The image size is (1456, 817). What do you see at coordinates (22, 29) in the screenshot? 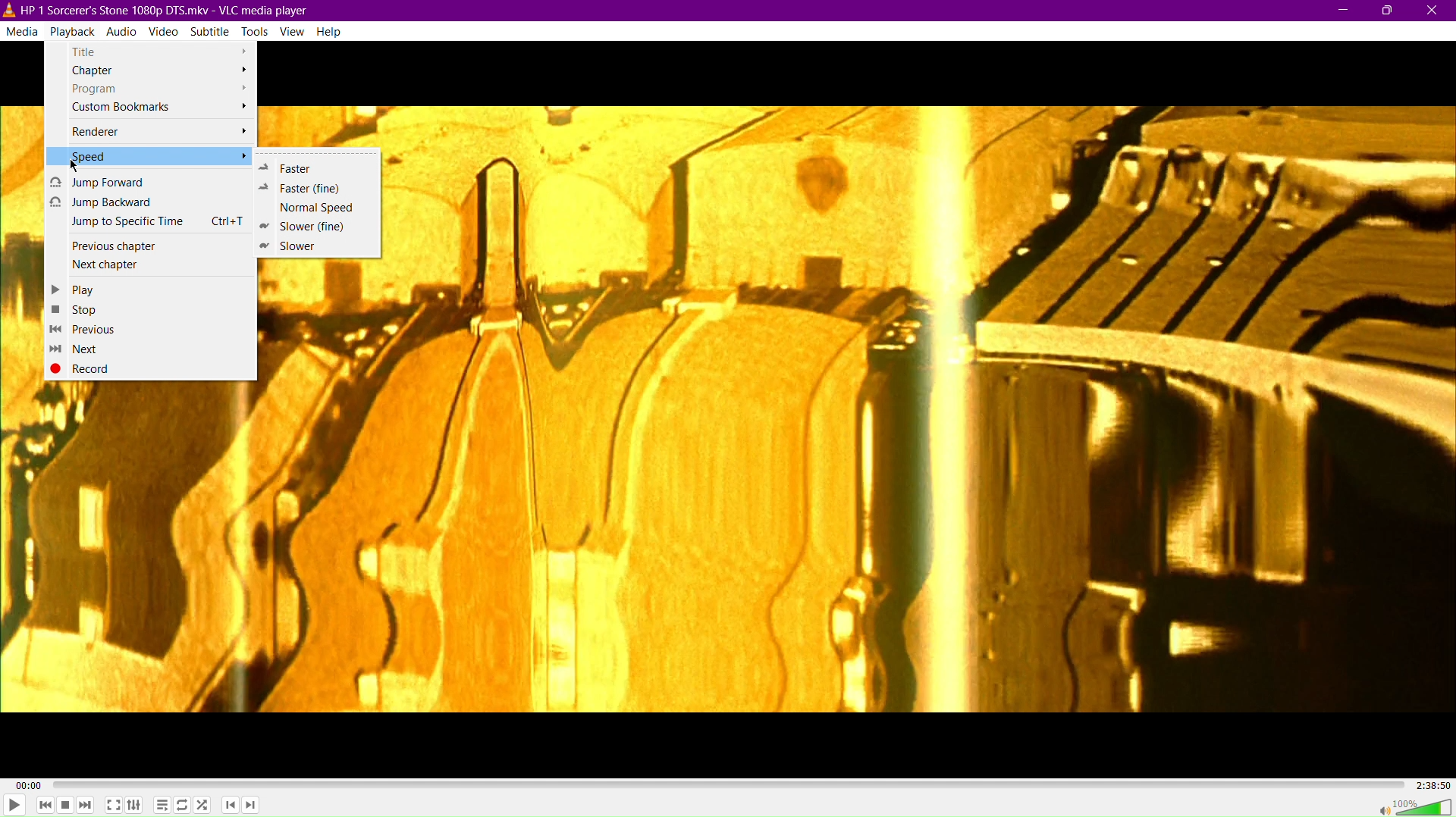
I see `Media` at bounding box center [22, 29].